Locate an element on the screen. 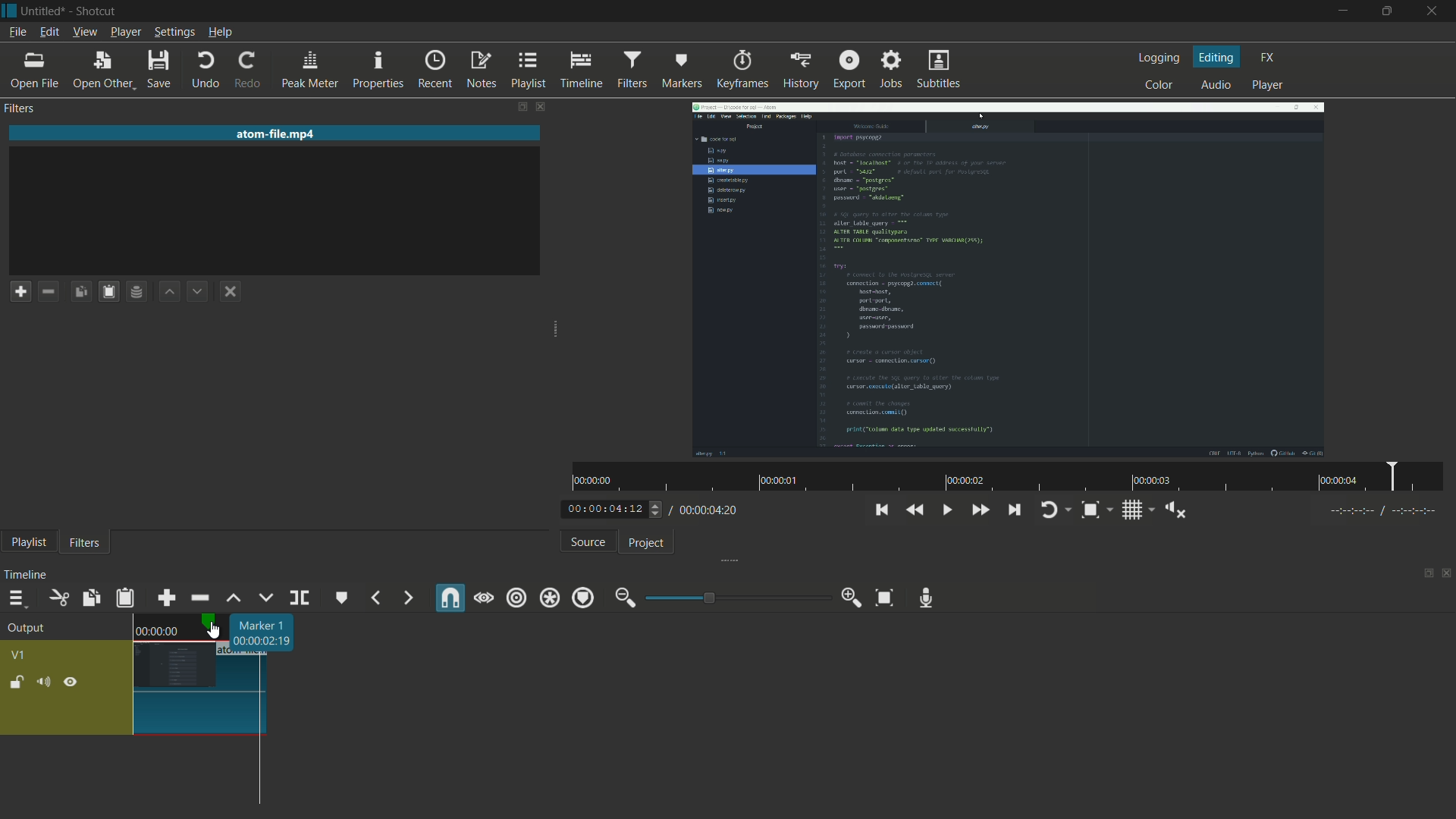 Image resolution: width=1456 pixels, height=819 pixels. copy checked filters is located at coordinates (80, 293).